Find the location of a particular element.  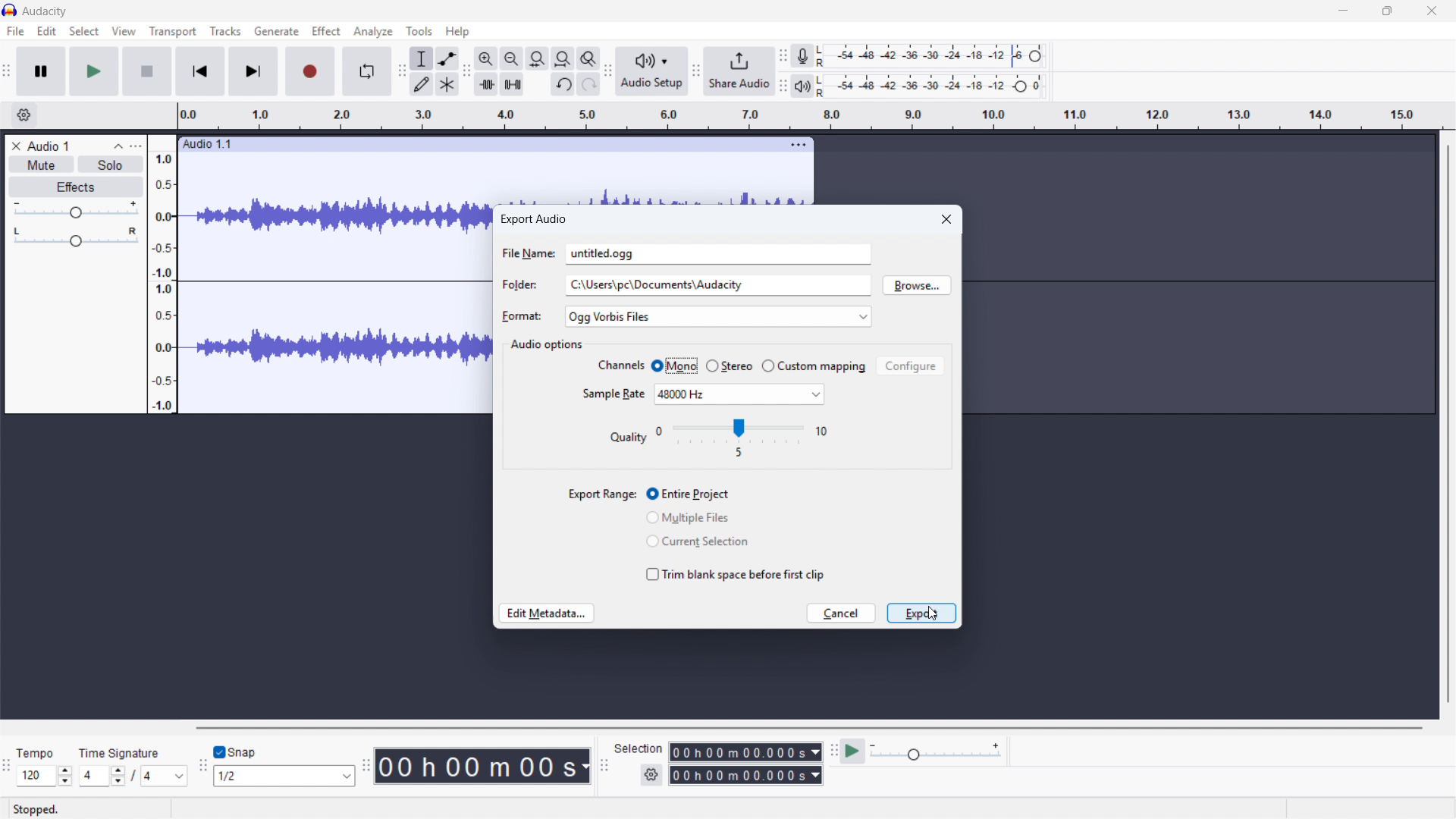

Set tempo  is located at coordinates (44, 777).